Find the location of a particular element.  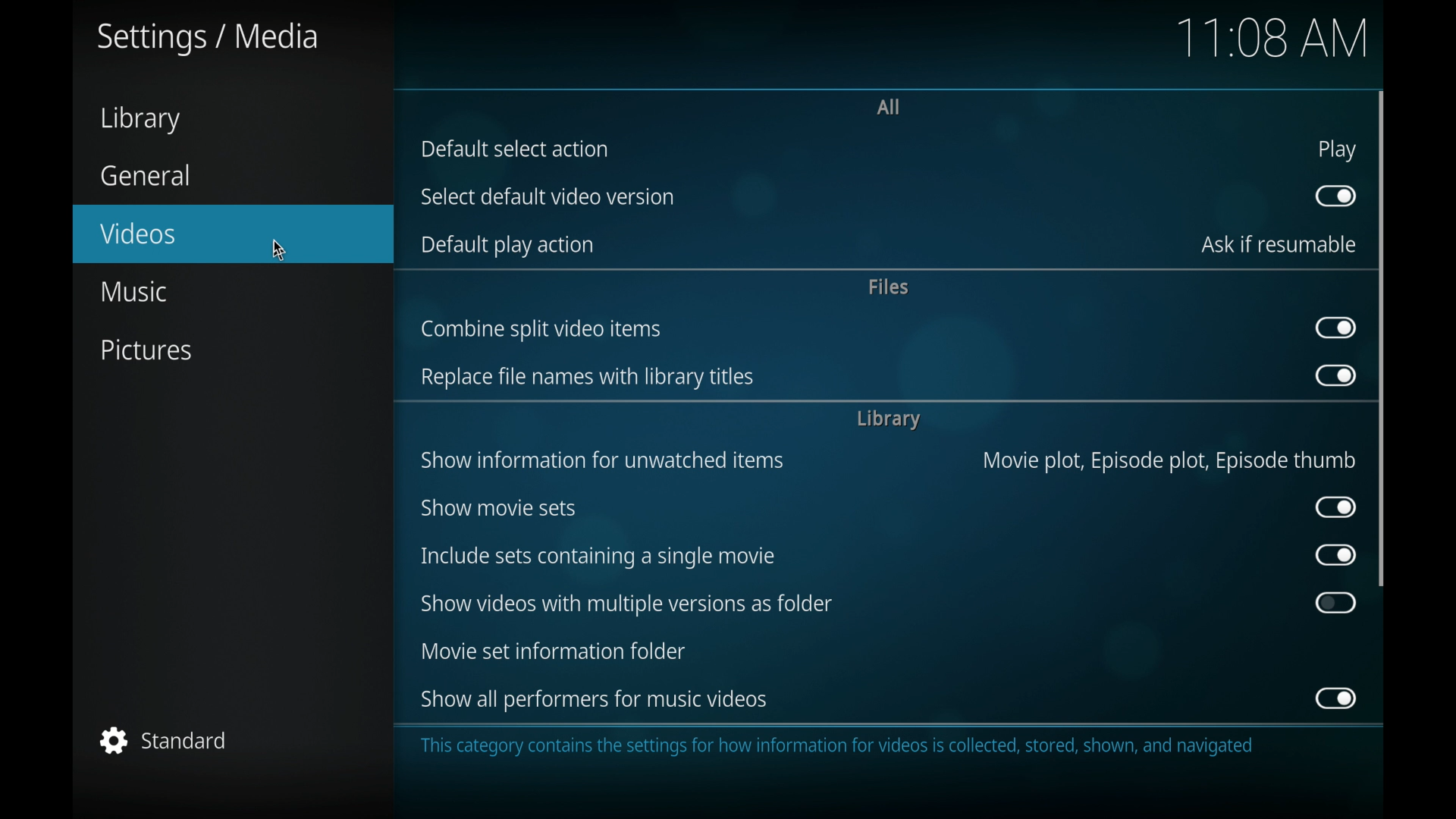

show information for unwatched items is located at coordinates (601, 460).